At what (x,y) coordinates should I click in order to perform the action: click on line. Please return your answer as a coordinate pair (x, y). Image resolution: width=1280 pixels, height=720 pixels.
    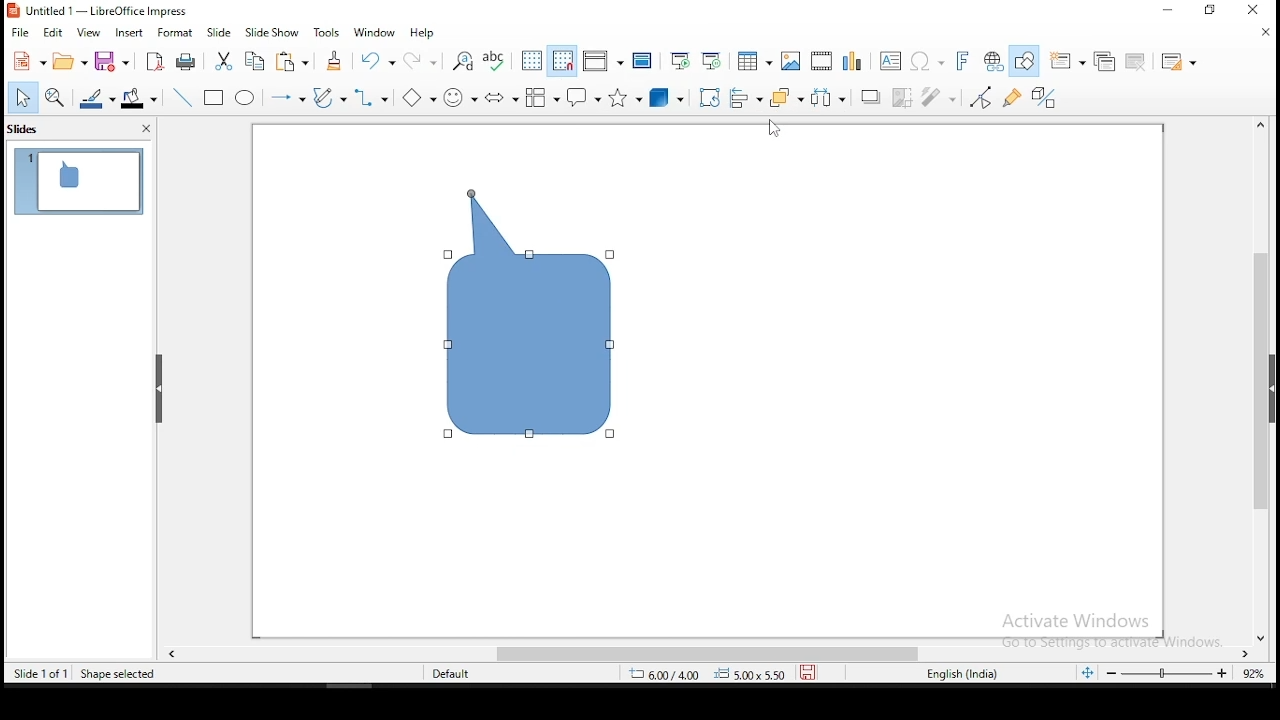
    Looking at the image, I should click on (183, 98).